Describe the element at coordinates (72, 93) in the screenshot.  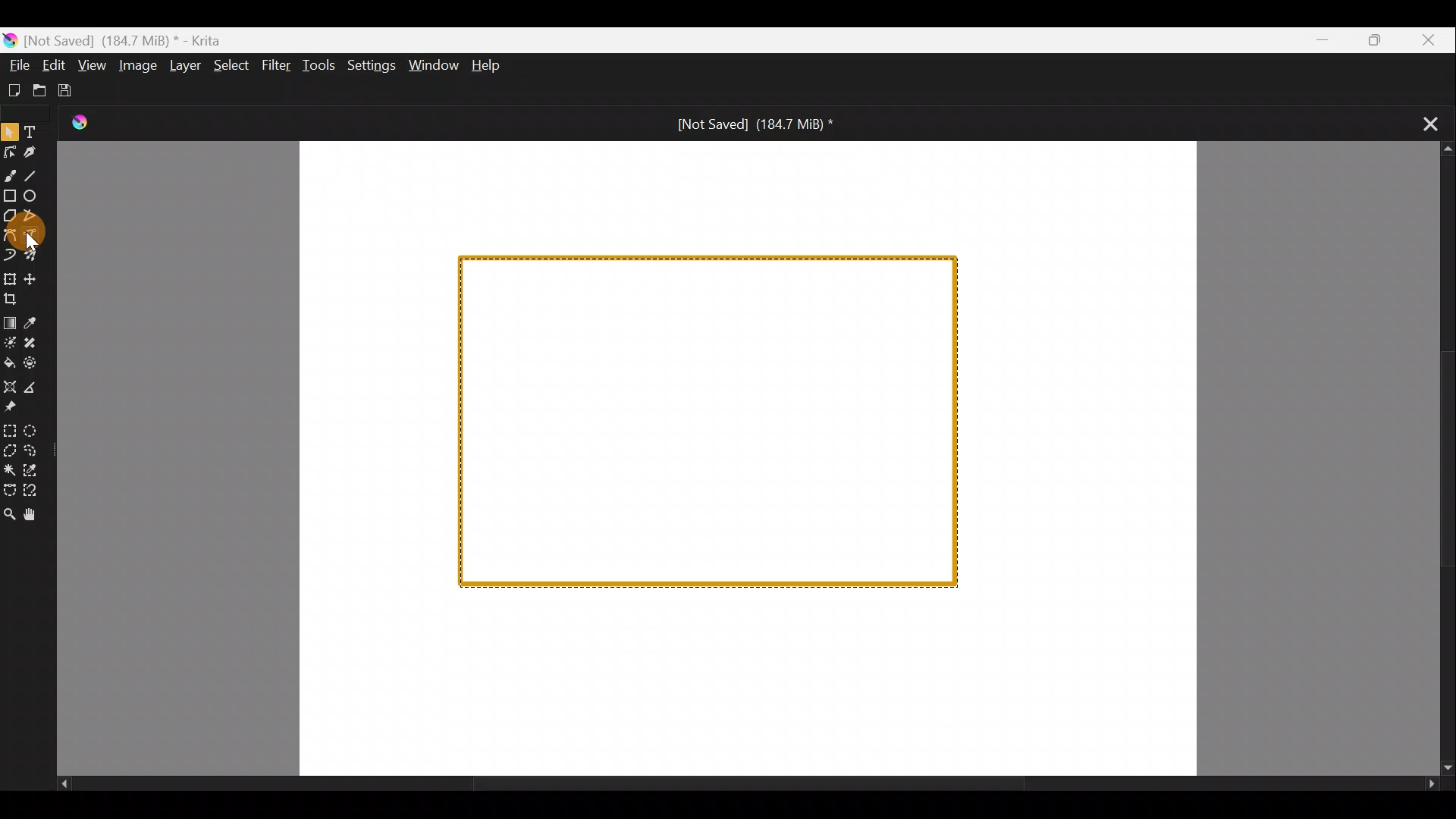
I see `Save` at that location.